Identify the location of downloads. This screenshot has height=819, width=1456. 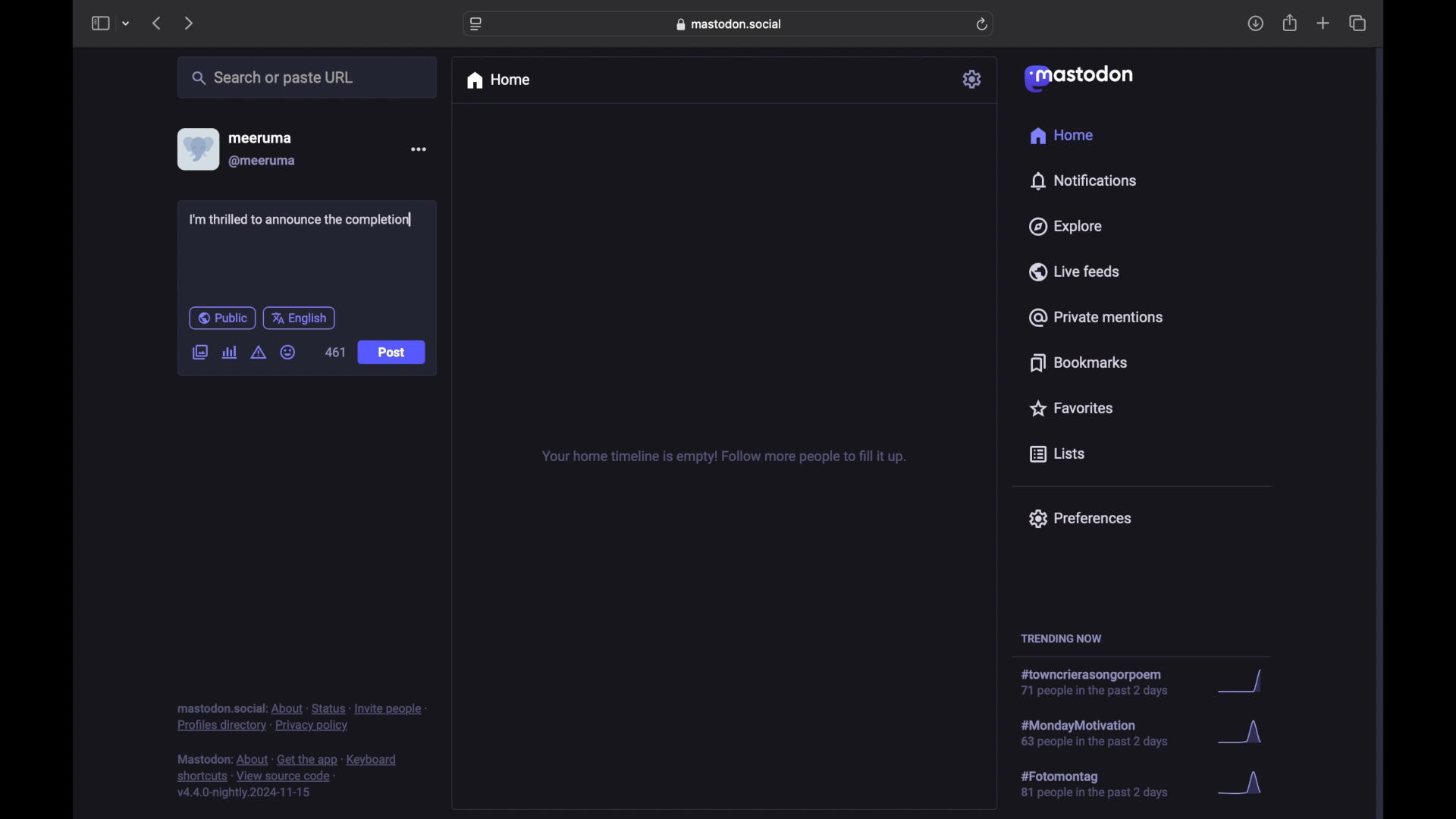
(1255, 24).